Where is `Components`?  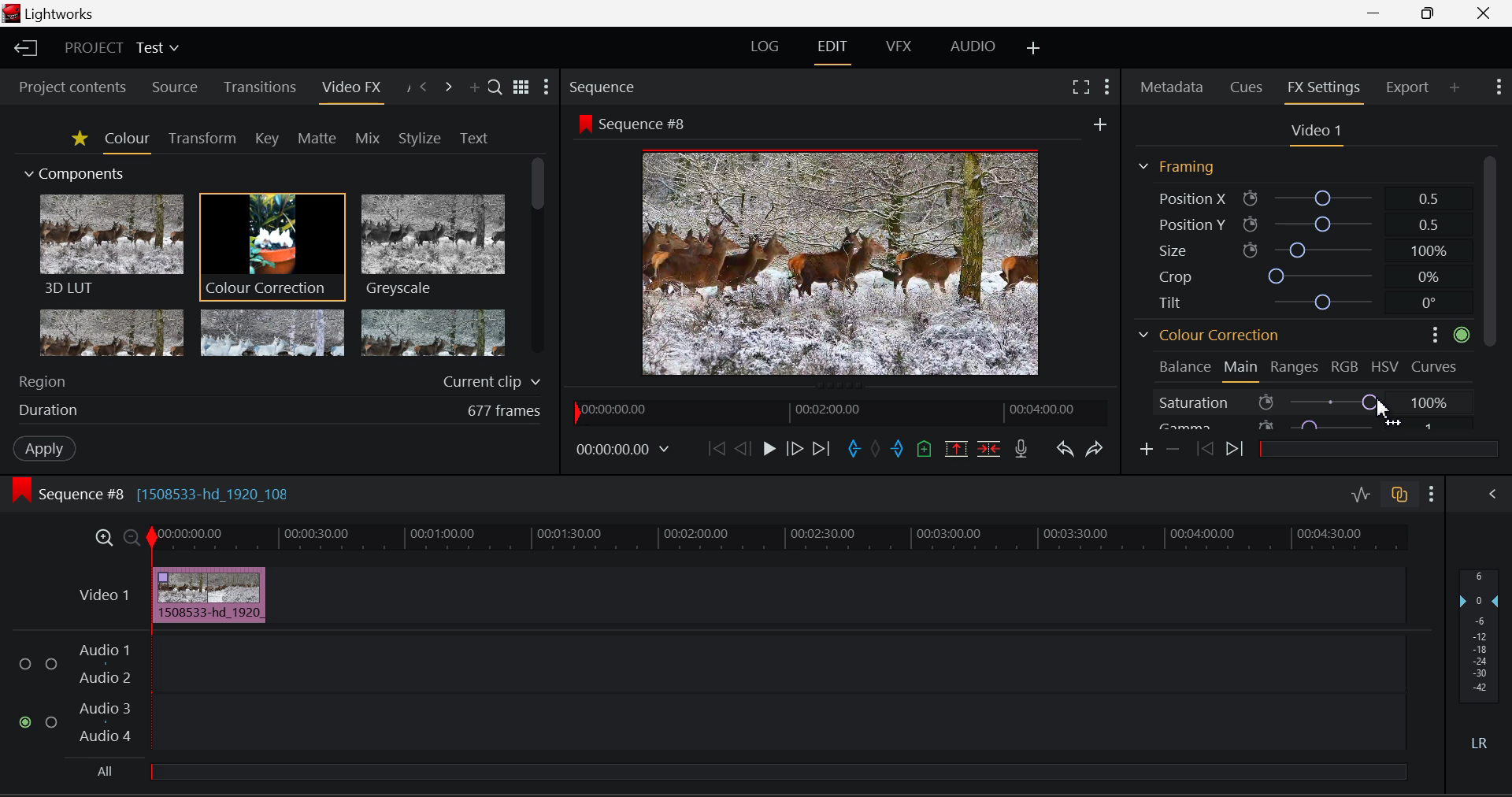
Components is located at coordinates (76, 175).